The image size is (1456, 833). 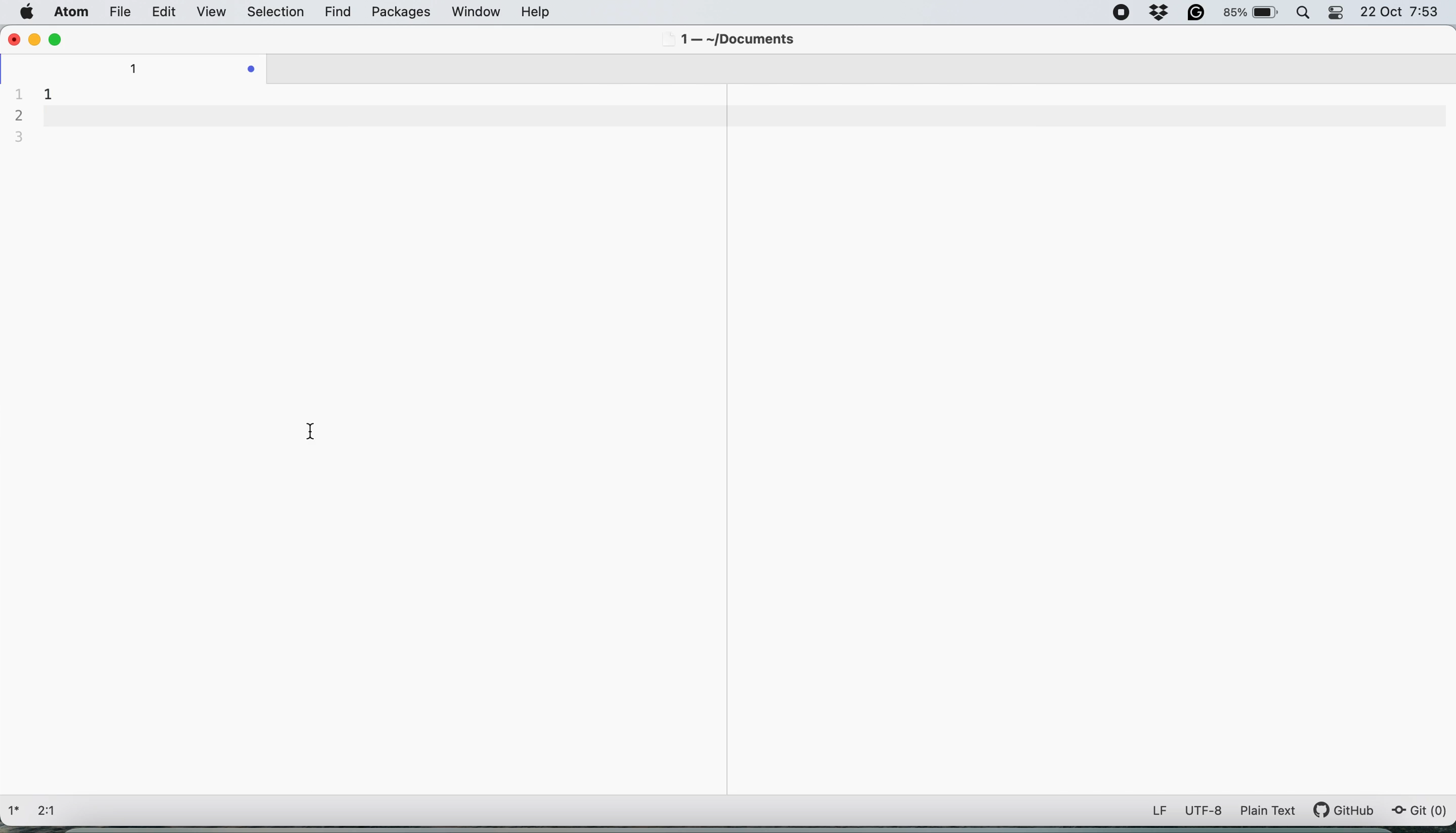 I want to click on atom, so click(x=69, y=13).